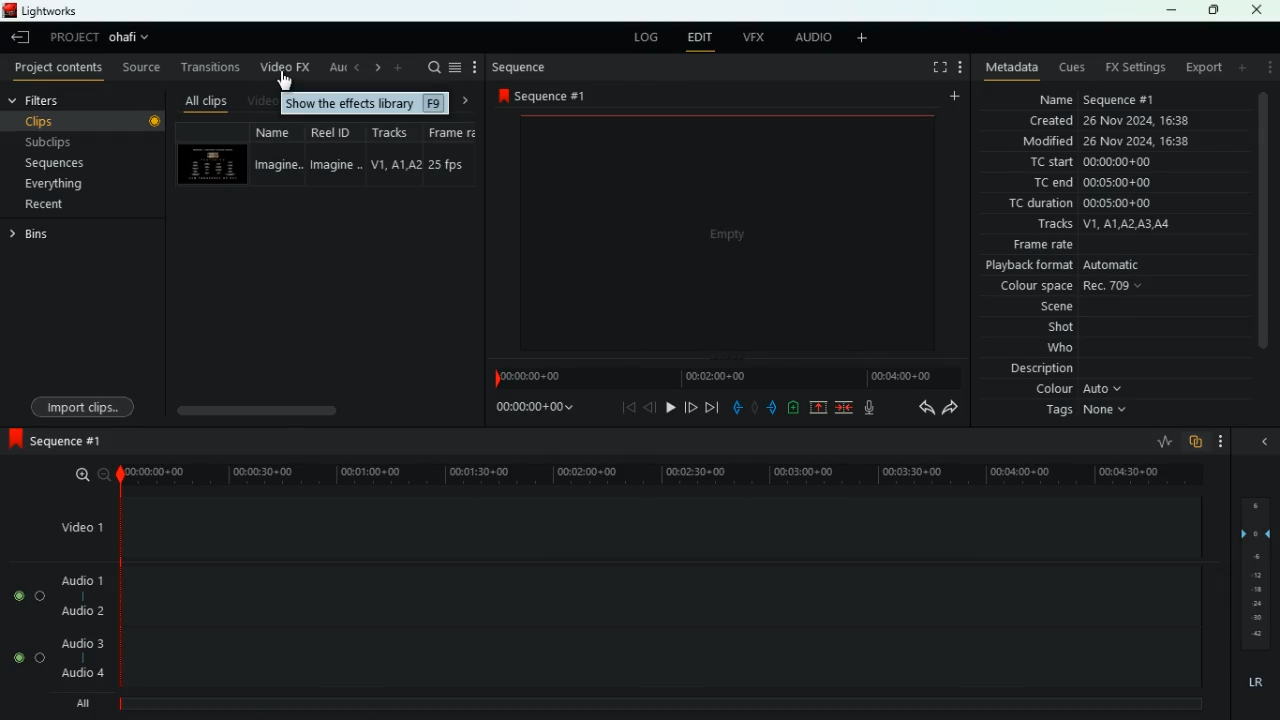 The image size is (1280, 720). What do you see at coordinates (549, 96) in the screenshot?
I see `sequence` at bounding box center [549, 96].